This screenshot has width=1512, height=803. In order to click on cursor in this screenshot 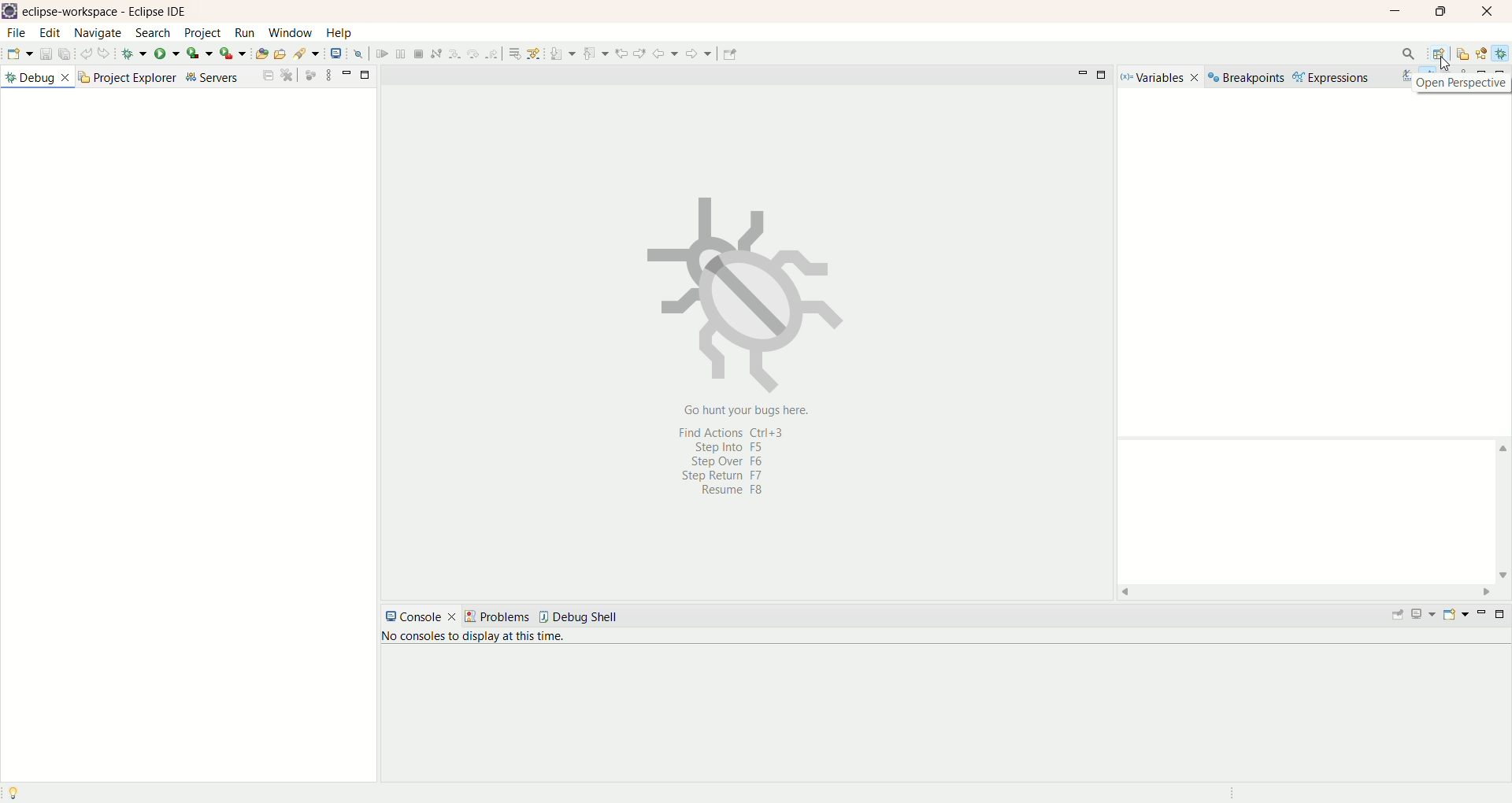, I will do `click(1447, 62)`.